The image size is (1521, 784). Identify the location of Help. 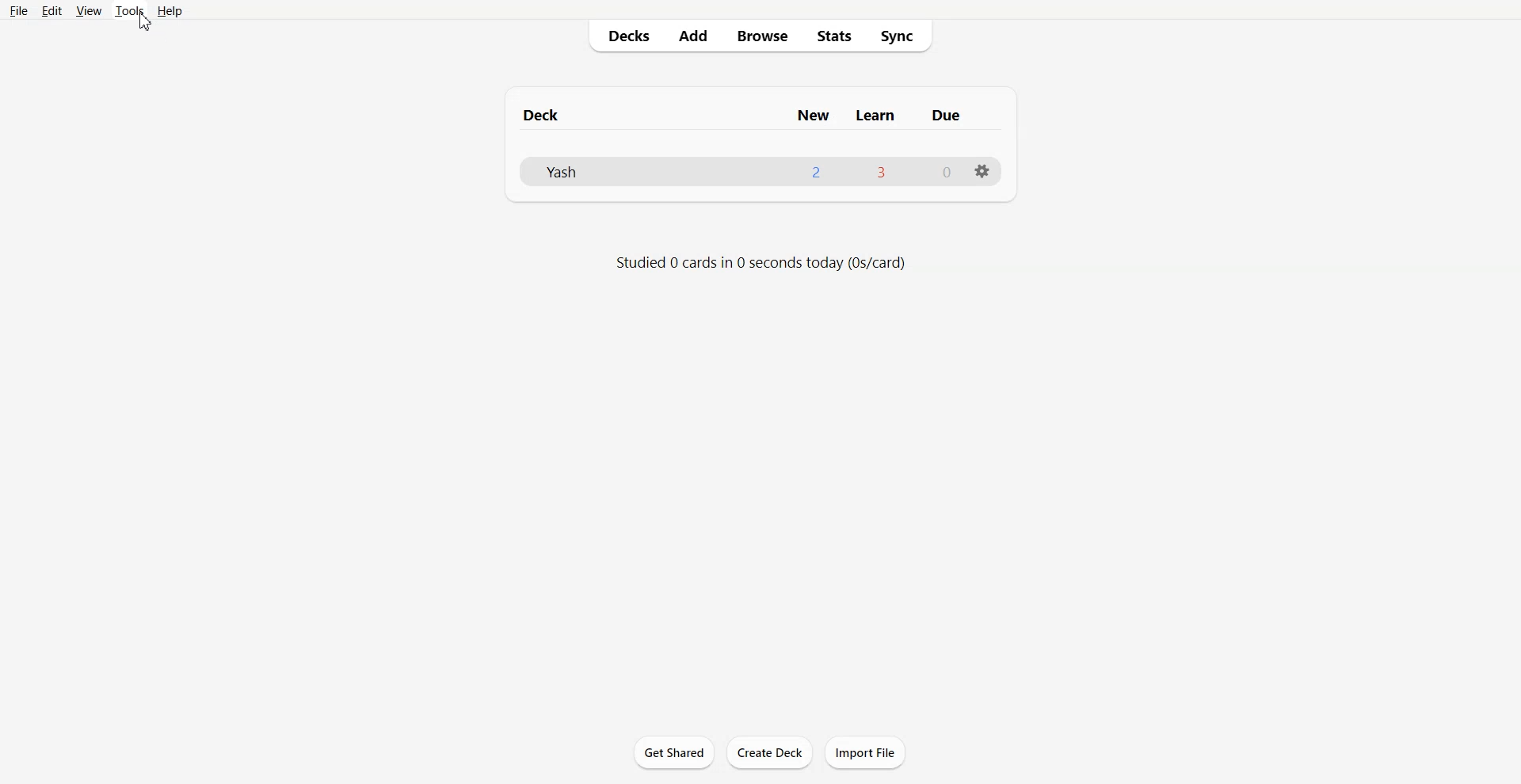
(170, 10).